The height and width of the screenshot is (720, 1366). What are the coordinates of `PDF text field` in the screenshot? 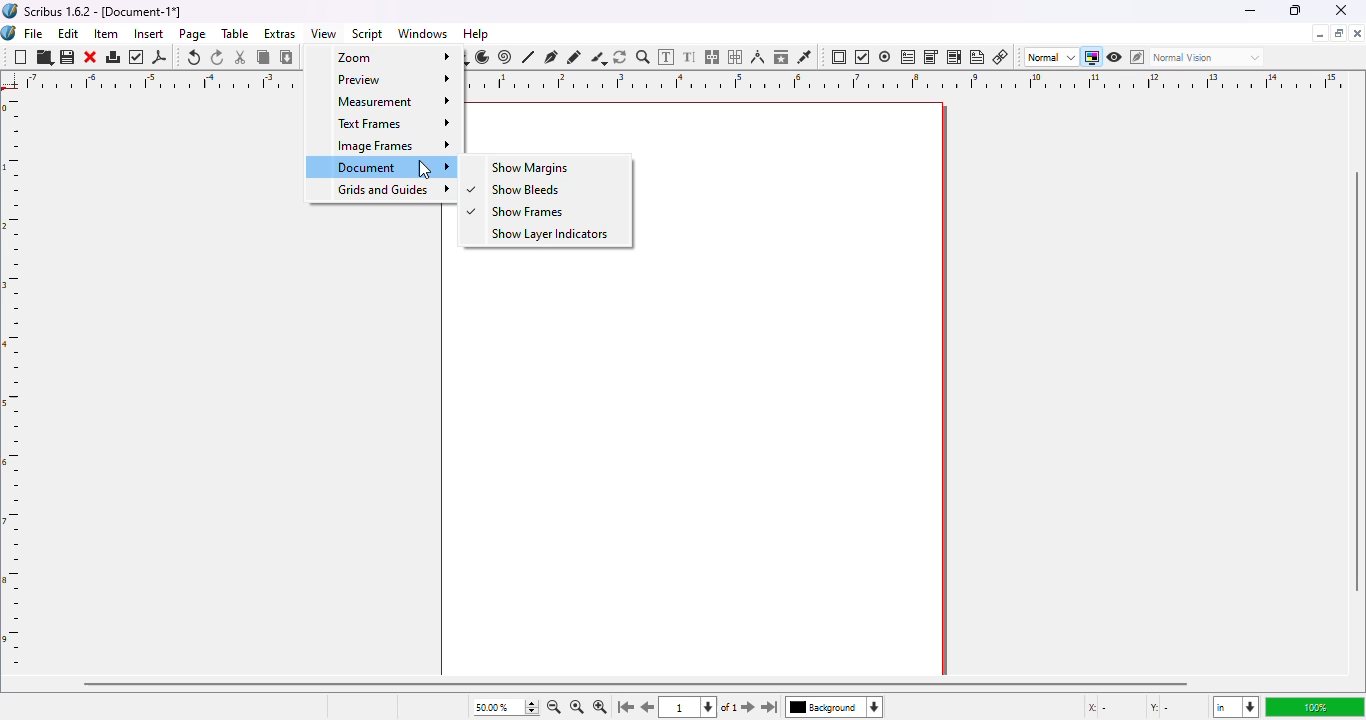 It's located at (908, 56).